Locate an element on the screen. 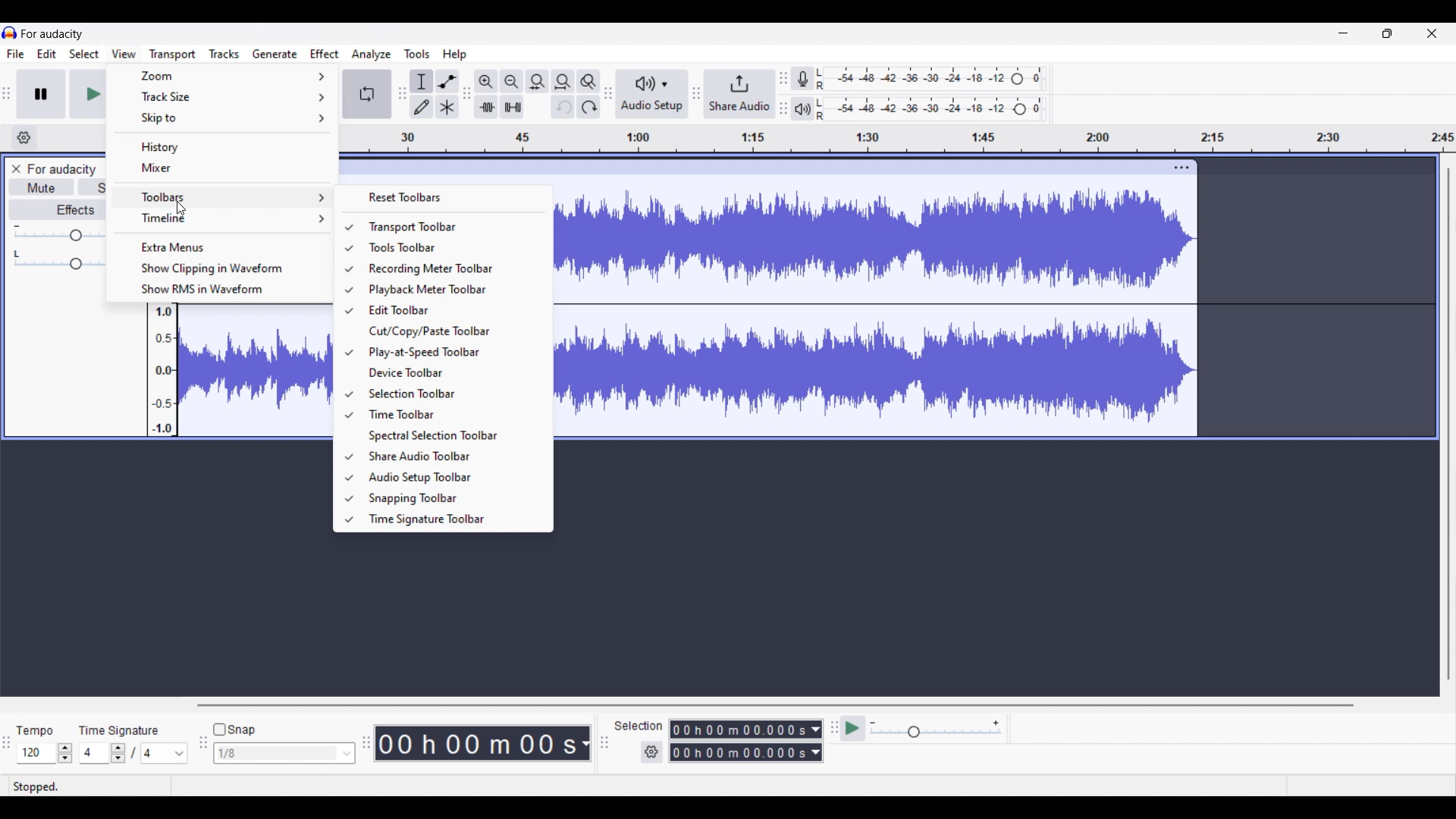 The width and height of the screenshot is (1456, 819). Mute is located at coordinates (41, 187).